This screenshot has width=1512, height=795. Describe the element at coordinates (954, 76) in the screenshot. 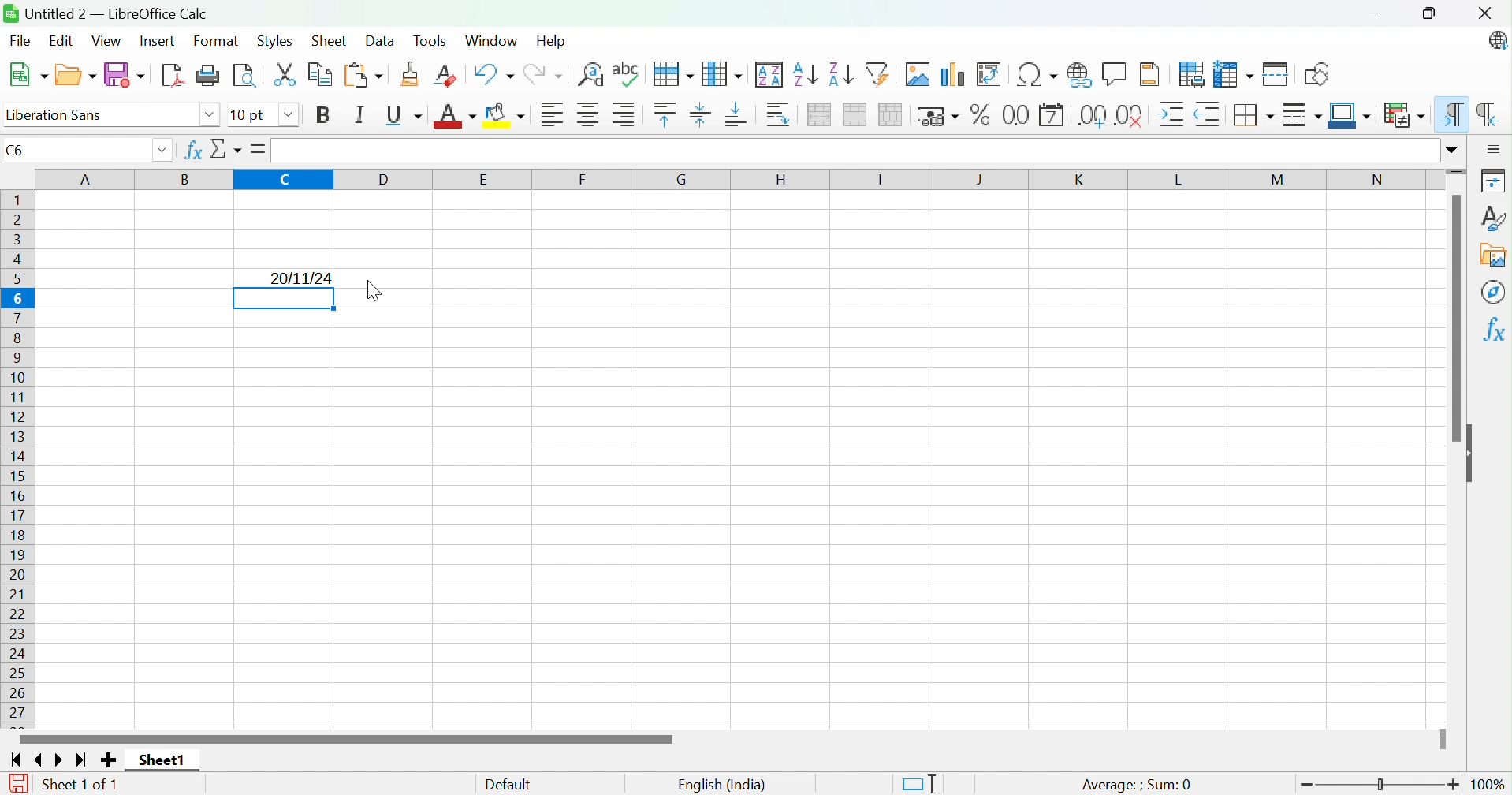

I see `Insert chart` at that location.